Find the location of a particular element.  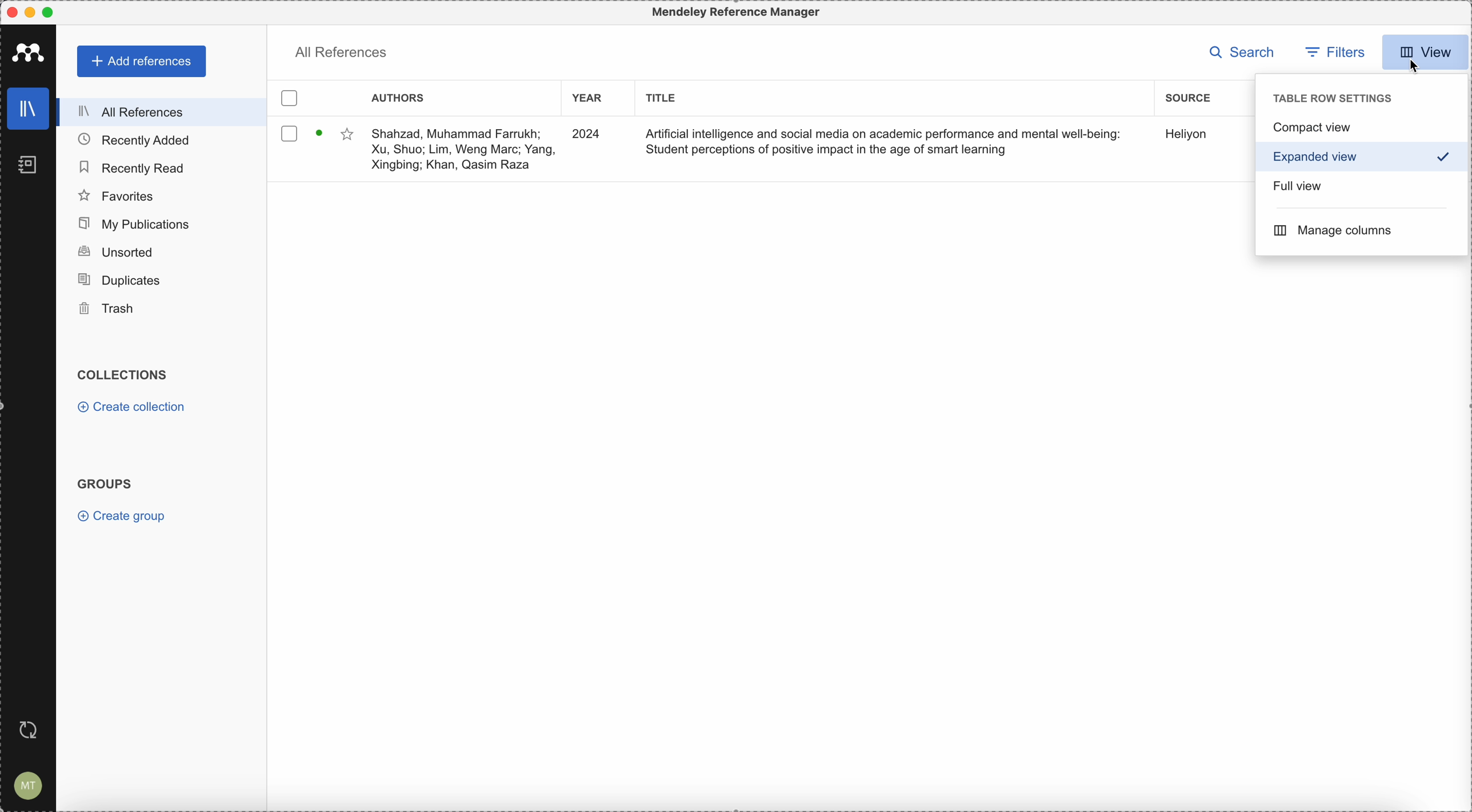

favorites is located at coordinates (117, 196).